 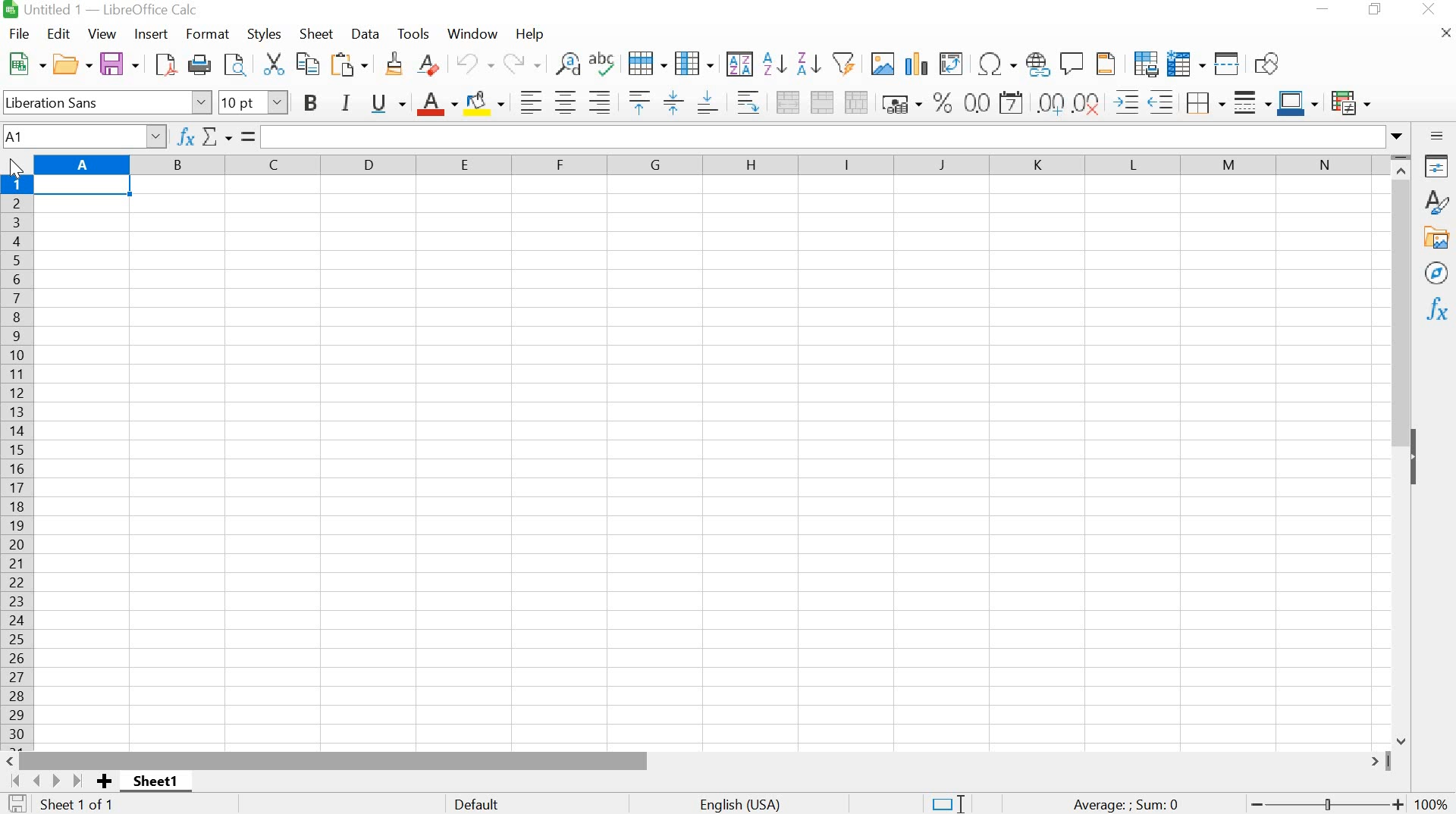 I want to click on Border Color, so click(x=1298, y=103).